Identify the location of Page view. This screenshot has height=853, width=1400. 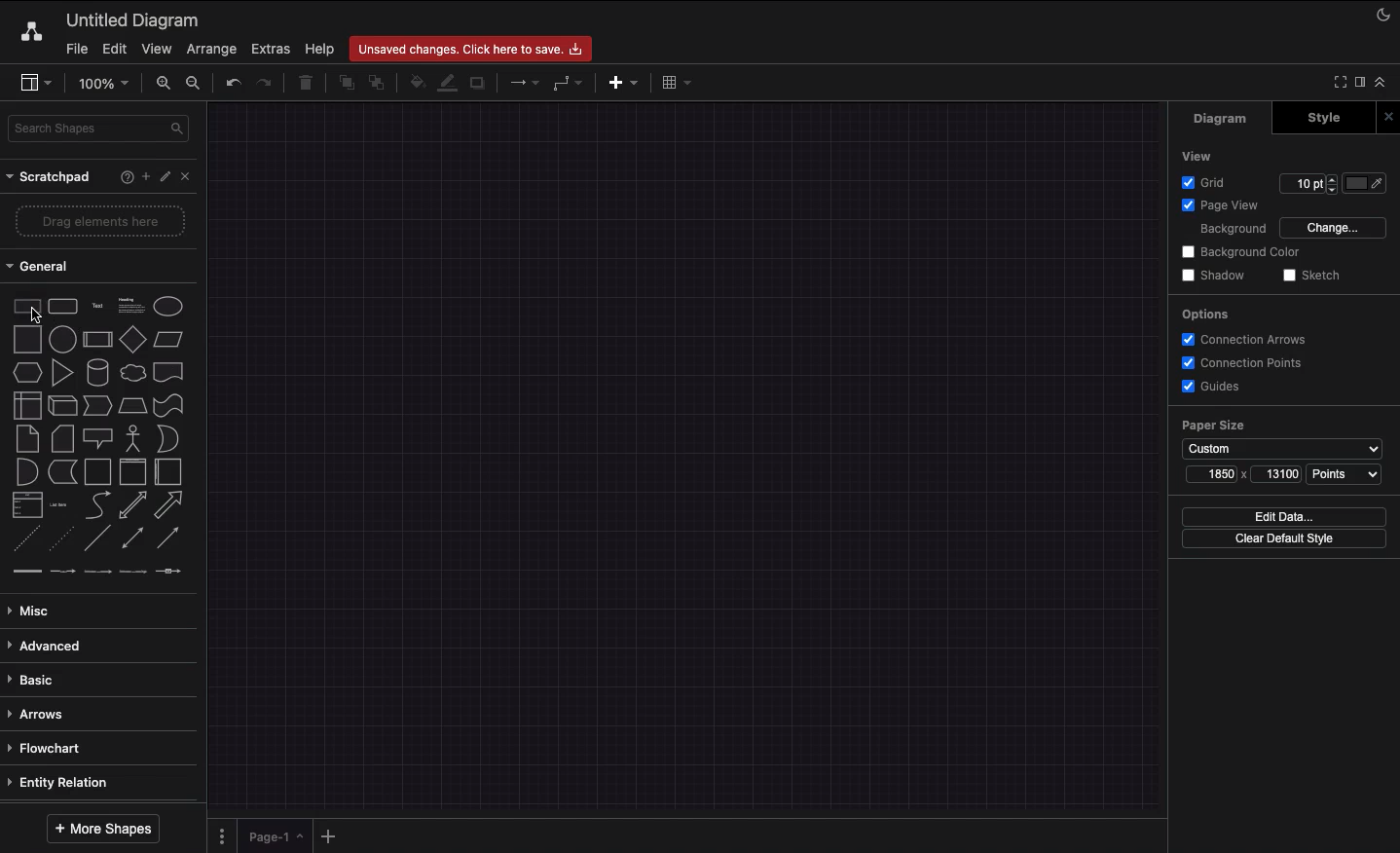
(1230, 206).